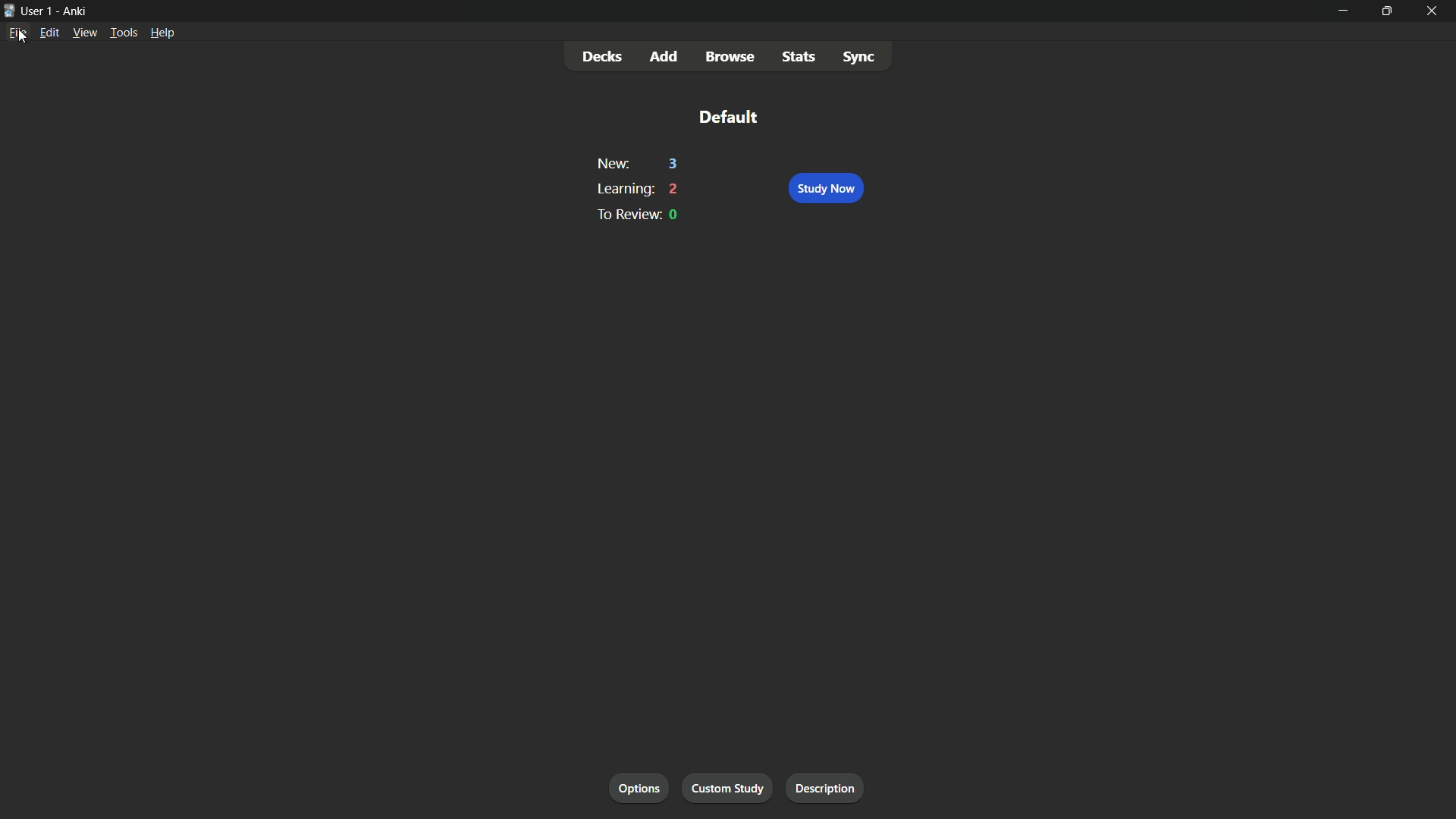 This screenshot has width=1456, height=819. Describe the element at coordinates (727, 116) in the screenshot. I see `default` at that location.